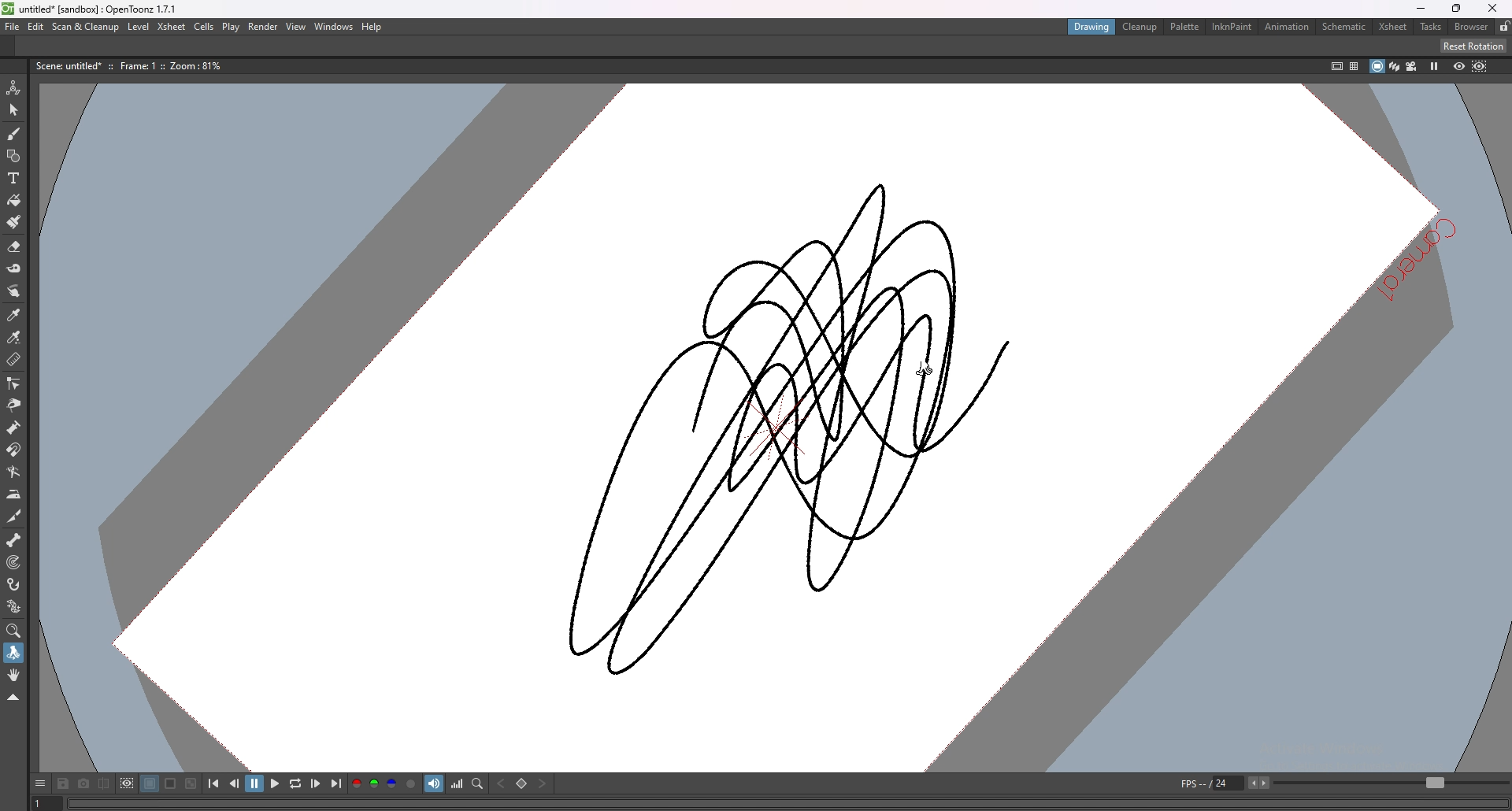 The height and width of the screenshot is (811, 1512). What do you see at coordinates (15, 268) in the screenshot?
I see `tape` at bounding box center [15, 268].